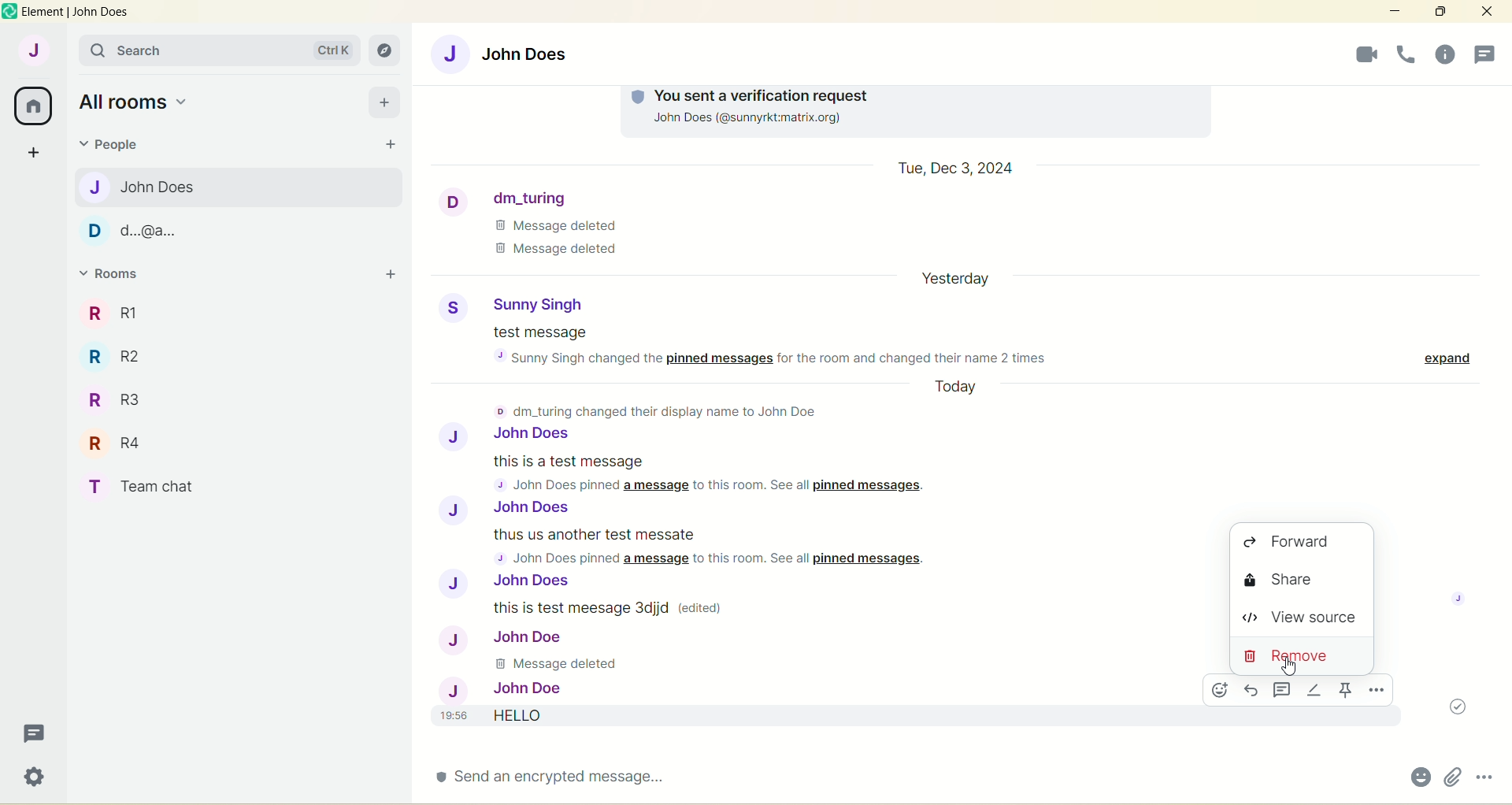  Describe the element at coordinates (503, 54) in the screenshot. I see `John Does` at that location.